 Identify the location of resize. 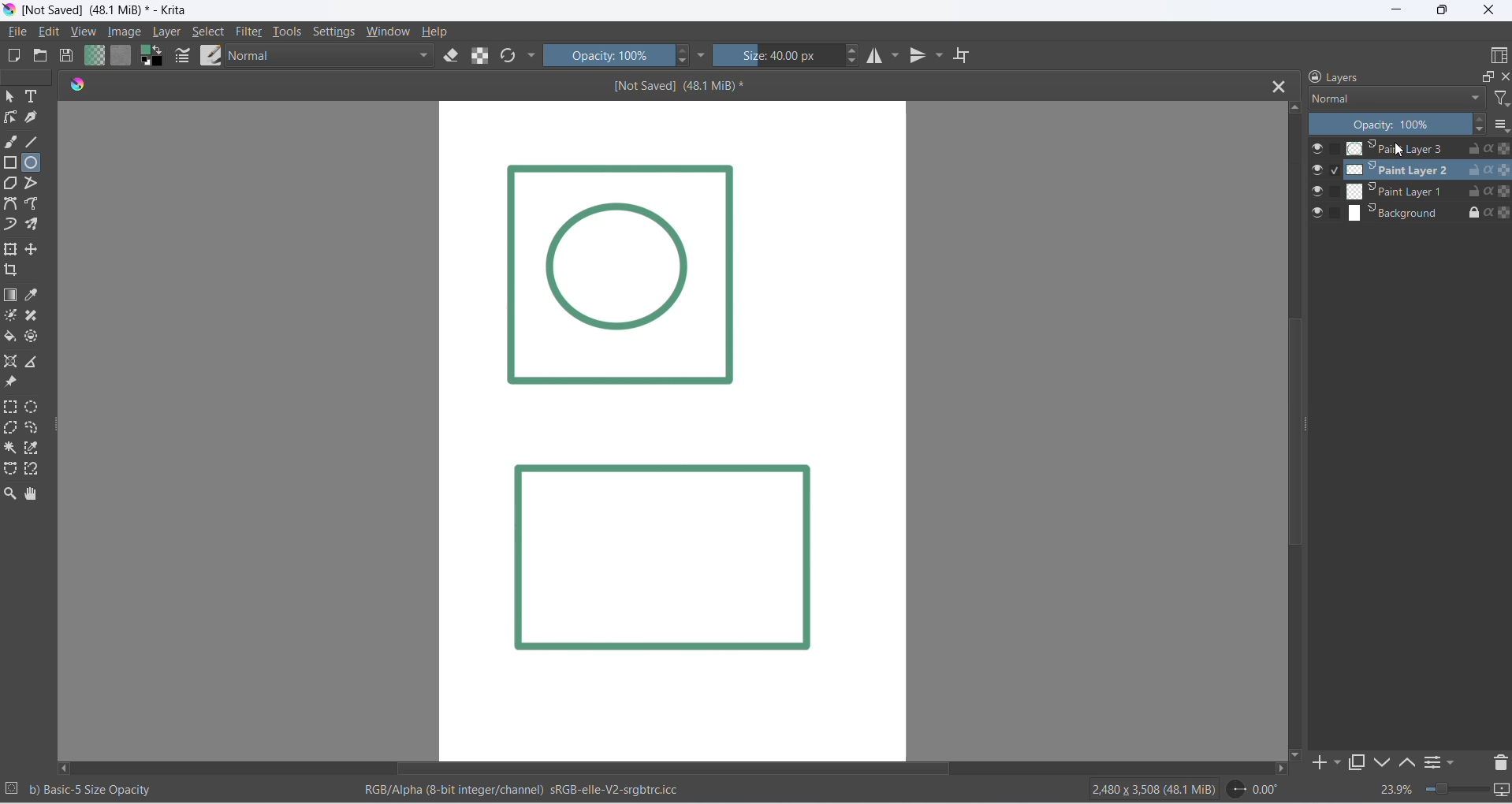
(58, 434).